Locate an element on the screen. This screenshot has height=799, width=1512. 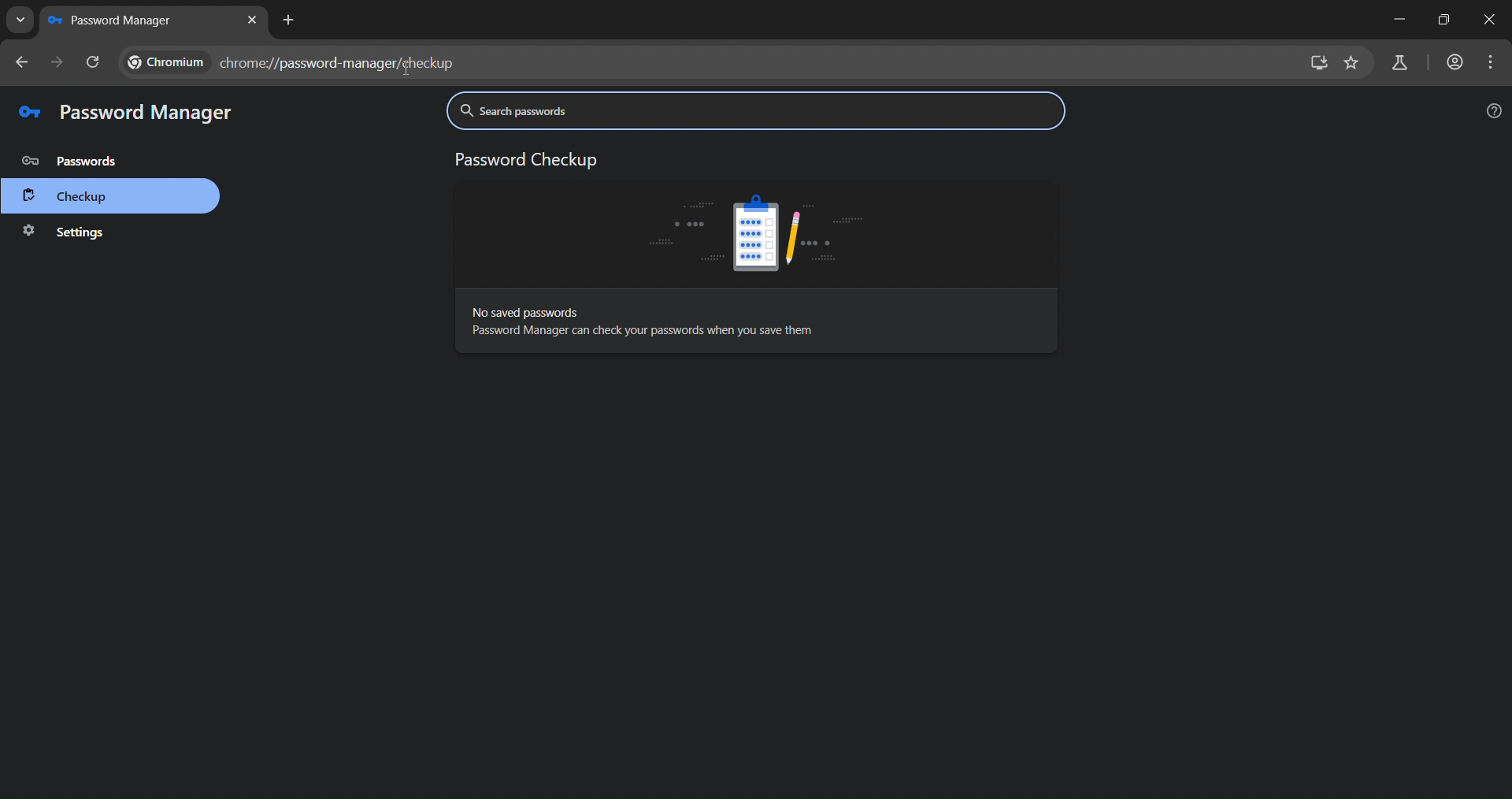
new tab is located at coordinates (291, 20).